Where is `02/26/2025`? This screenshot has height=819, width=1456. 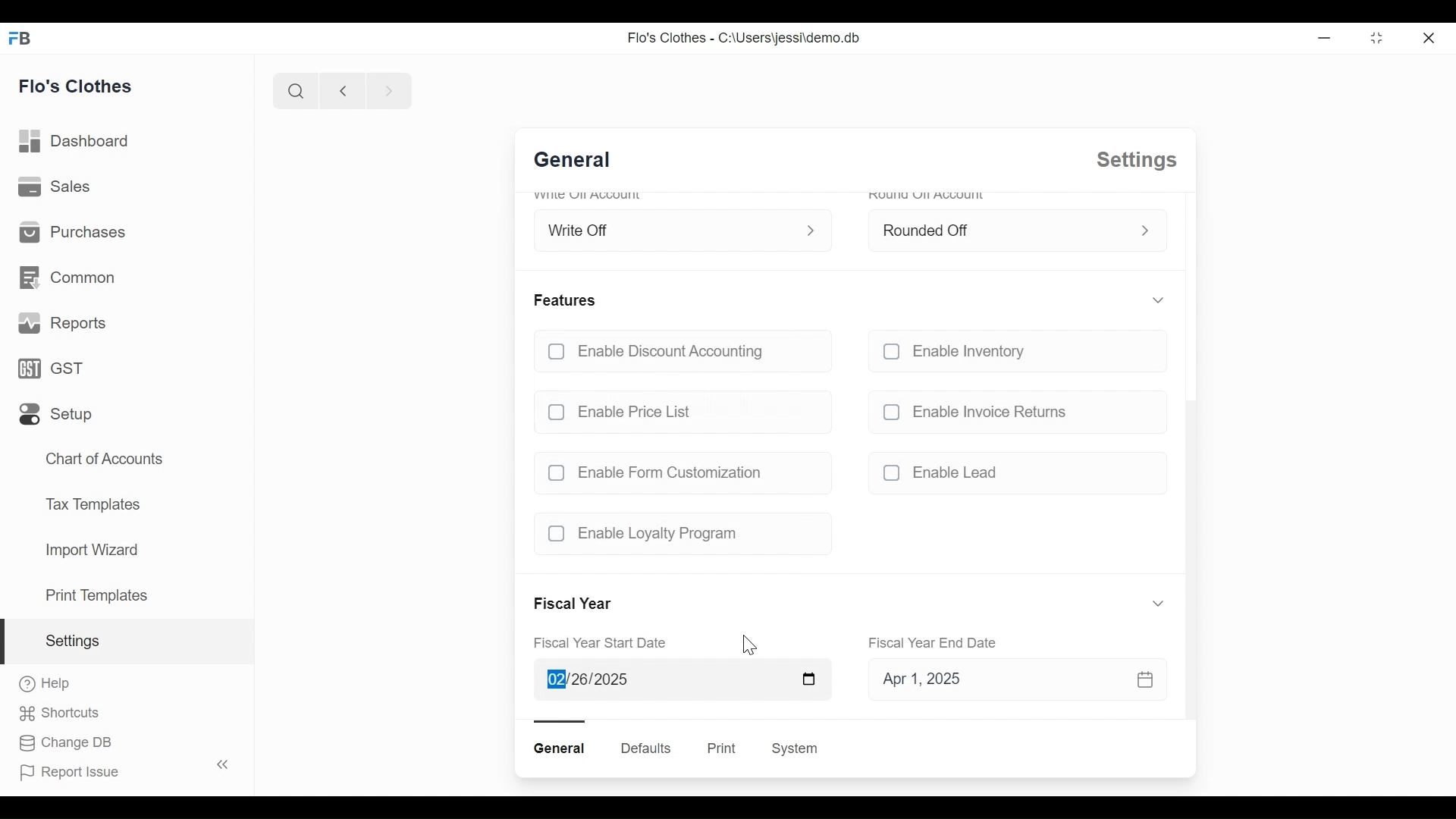 02/26/2025 is located at coordinates (680, 681).